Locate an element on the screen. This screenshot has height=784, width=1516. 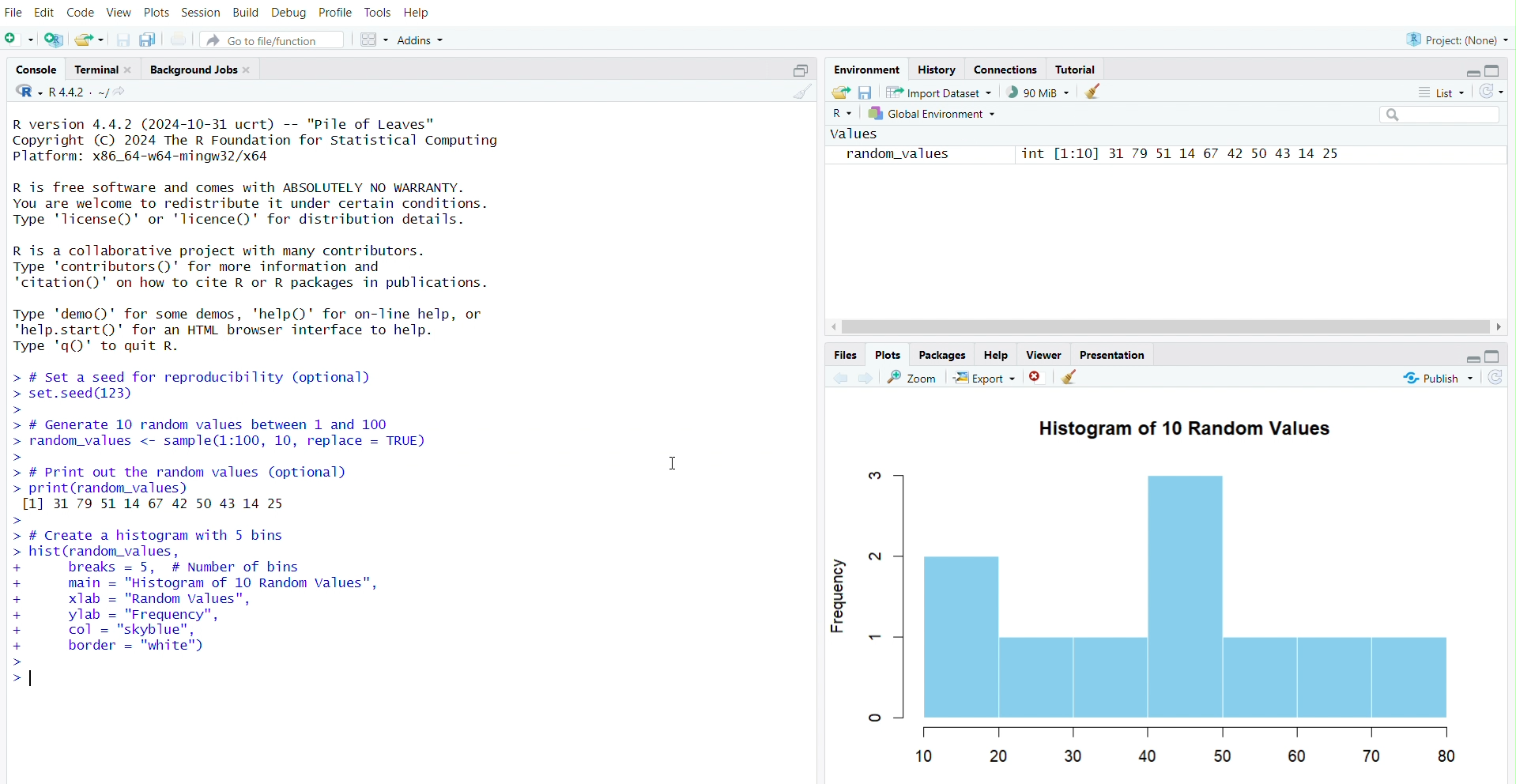
typing cursor is located at coordinates (11, 673).